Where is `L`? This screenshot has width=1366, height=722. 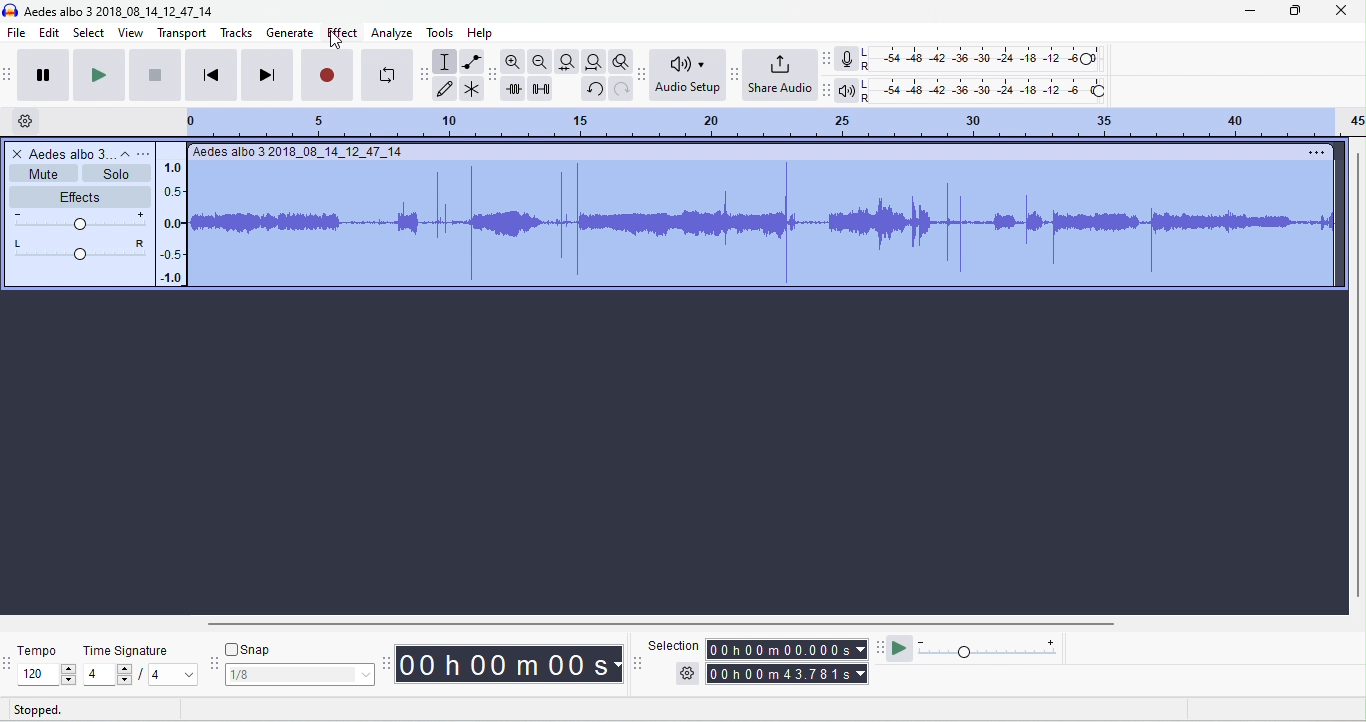 L is located at coordinates (866, 84).